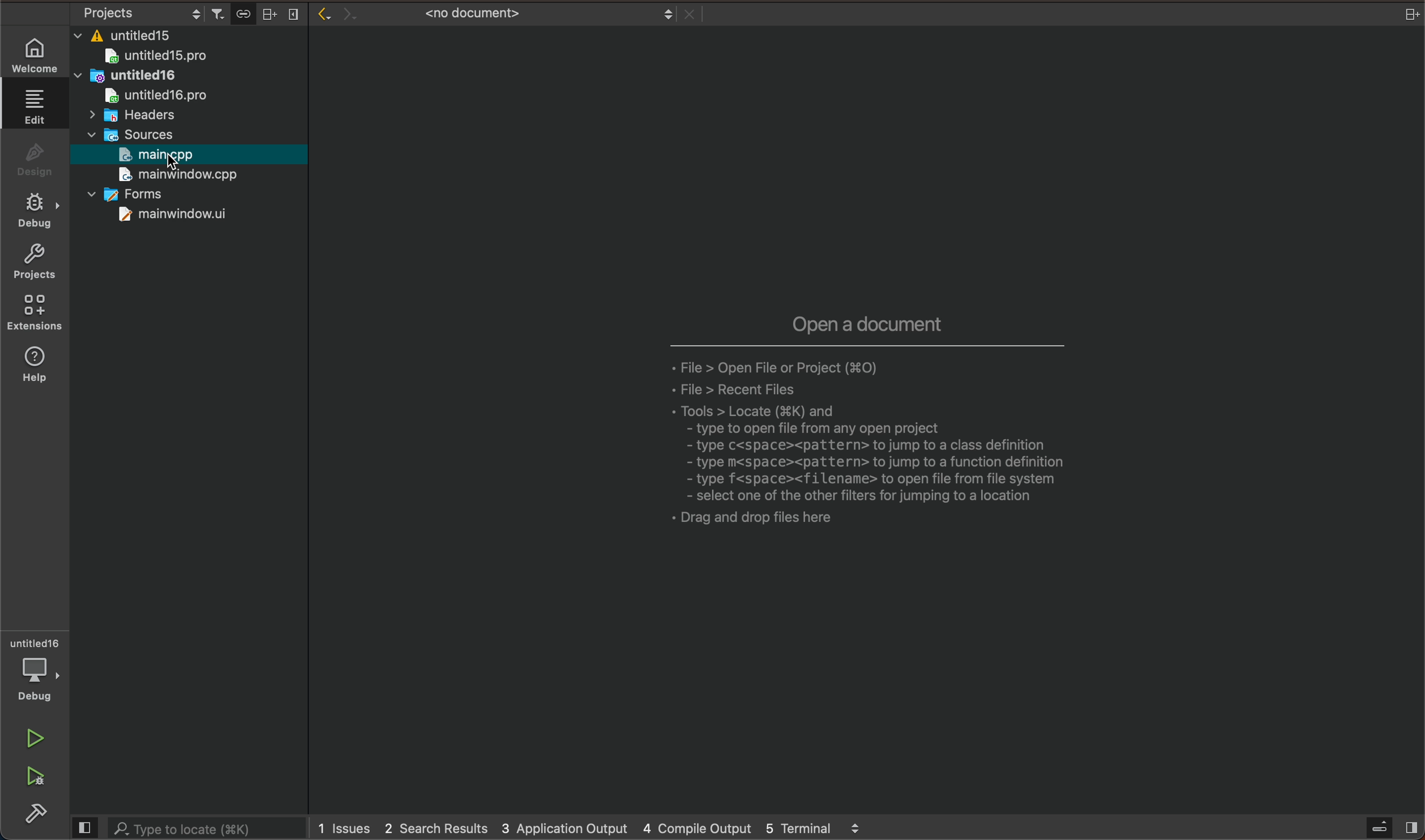 Image resolution: width=1425 pixels, height=840 pixels. I want to click on help, so click(35, 363).